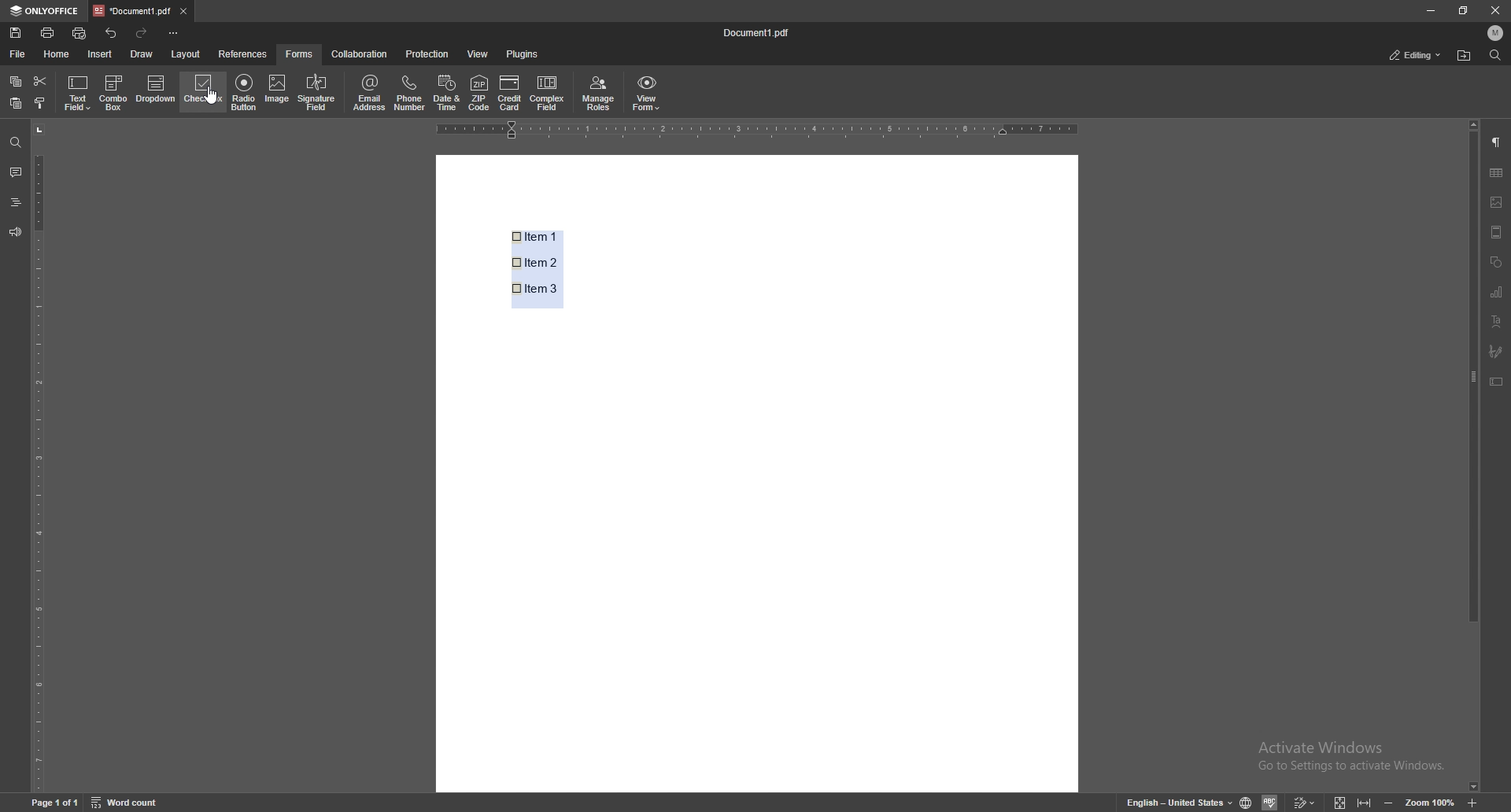  Describe the element at coordinates (410, 92) in the screenshot. I see `phone number` at that location.